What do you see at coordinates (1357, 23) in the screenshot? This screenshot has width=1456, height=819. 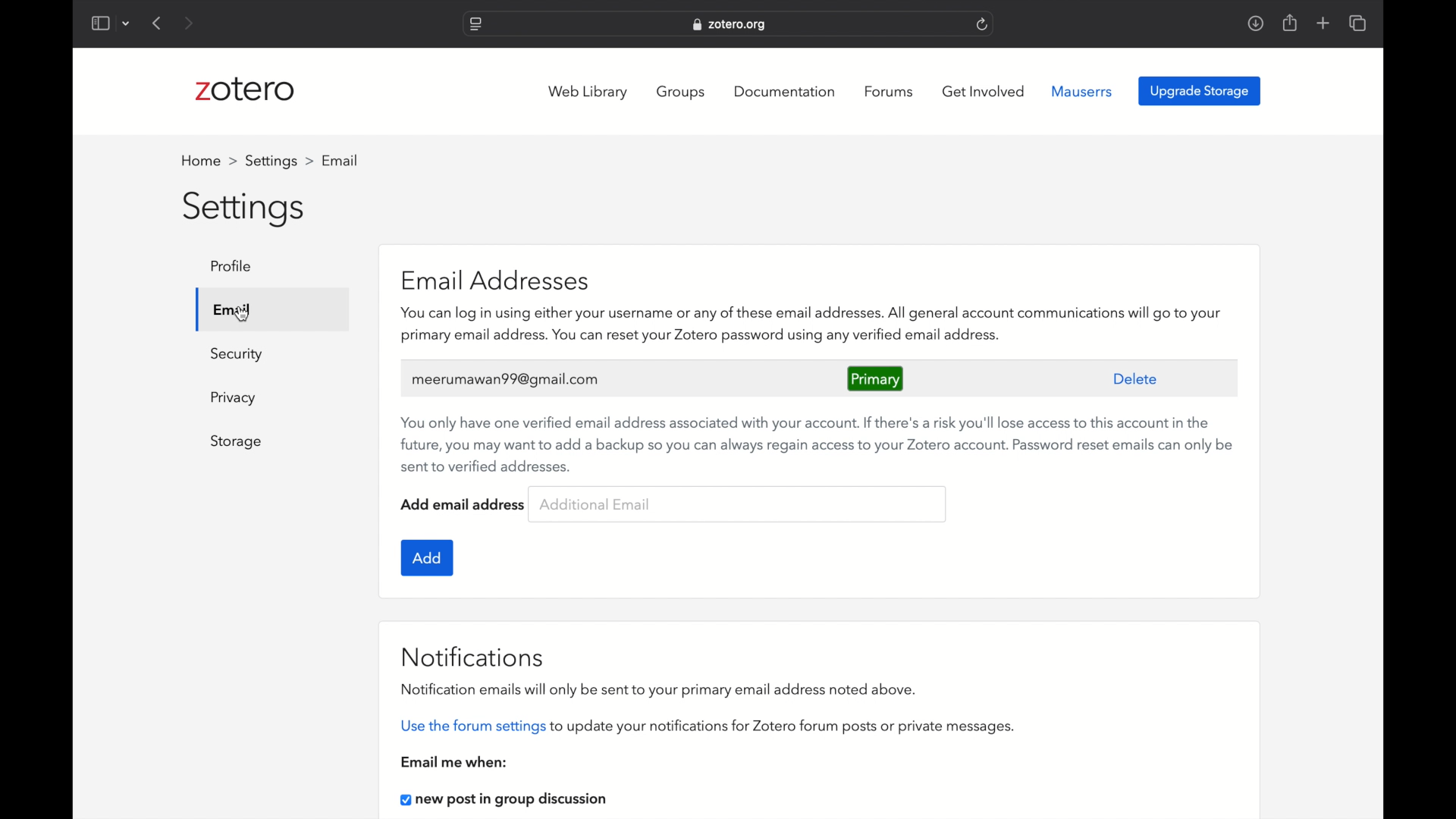 I see `show tab overview` at bounding box center [1357, 23].